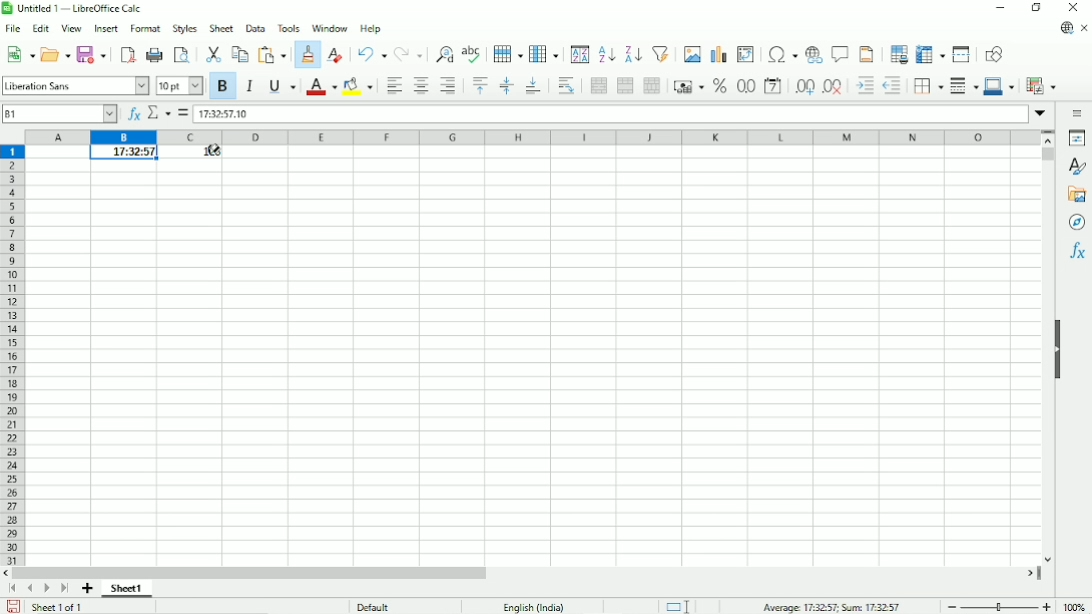 The image size is (1092, 614). Describe the element at coordinates (719, 87) in the screenshot. I see `Format as percent` at that location.